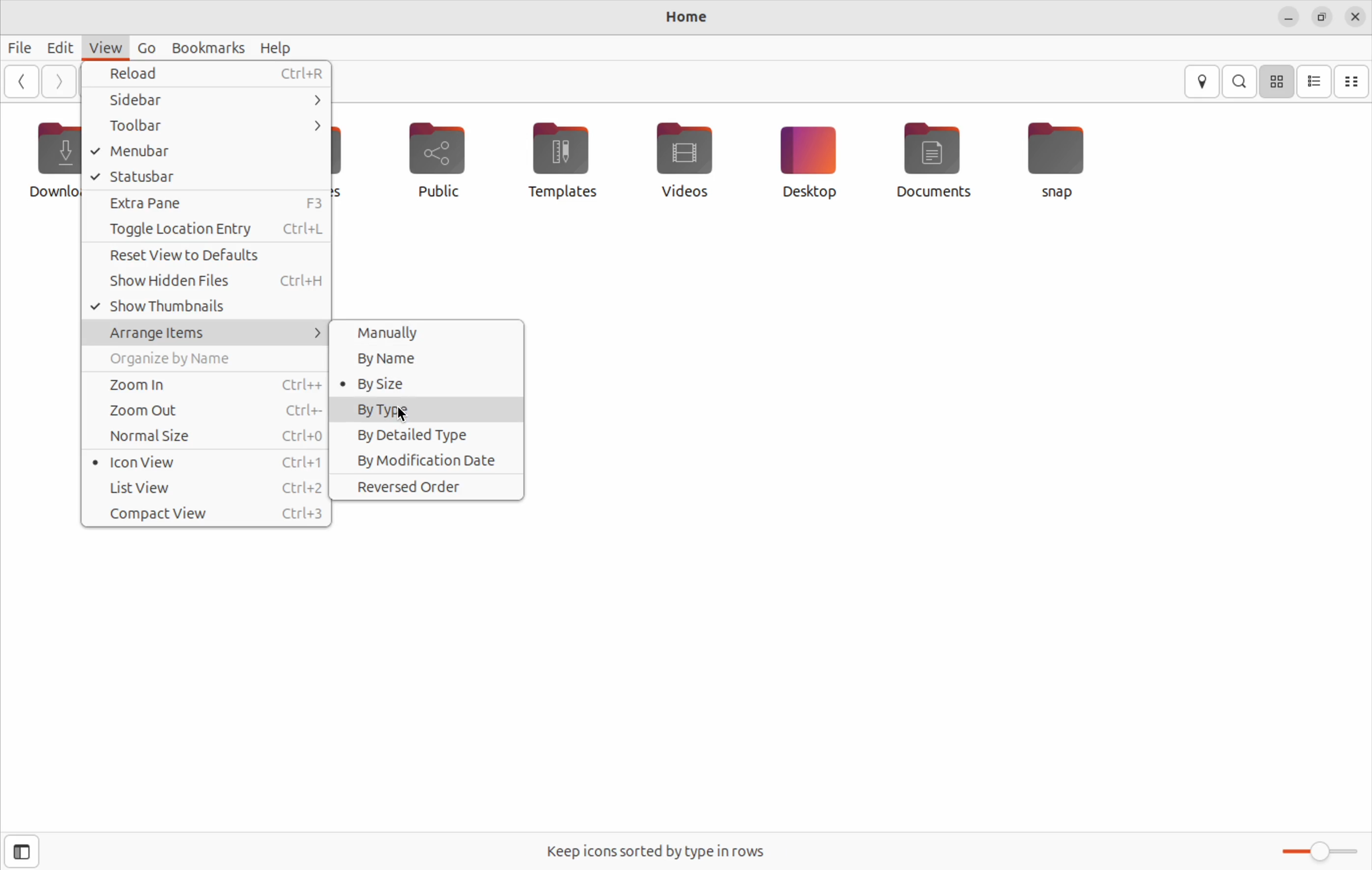  I want to click on by modification type, so click(428, 460).